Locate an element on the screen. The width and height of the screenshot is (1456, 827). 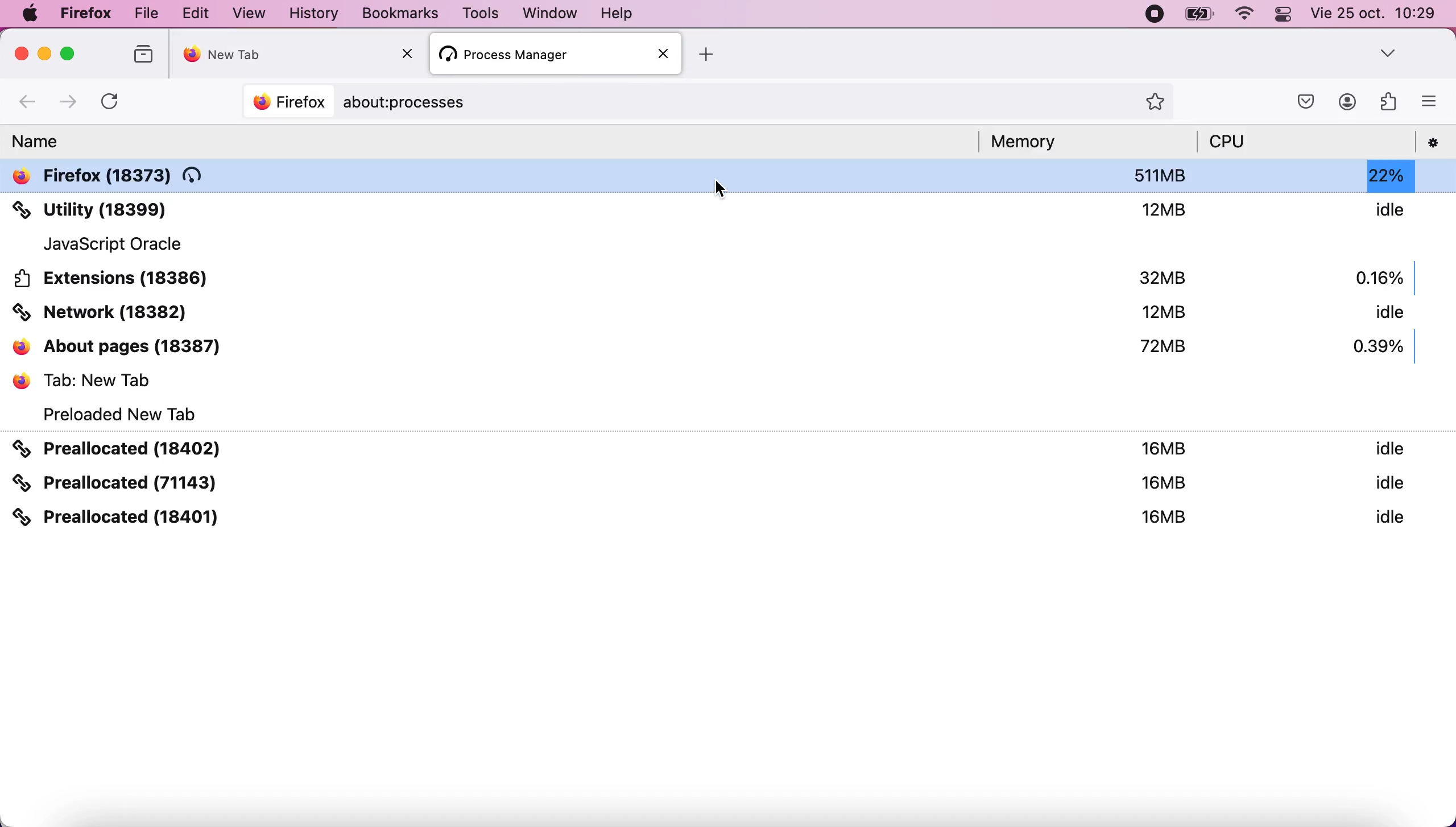
Toggle is located at coordinates (1284, 15).